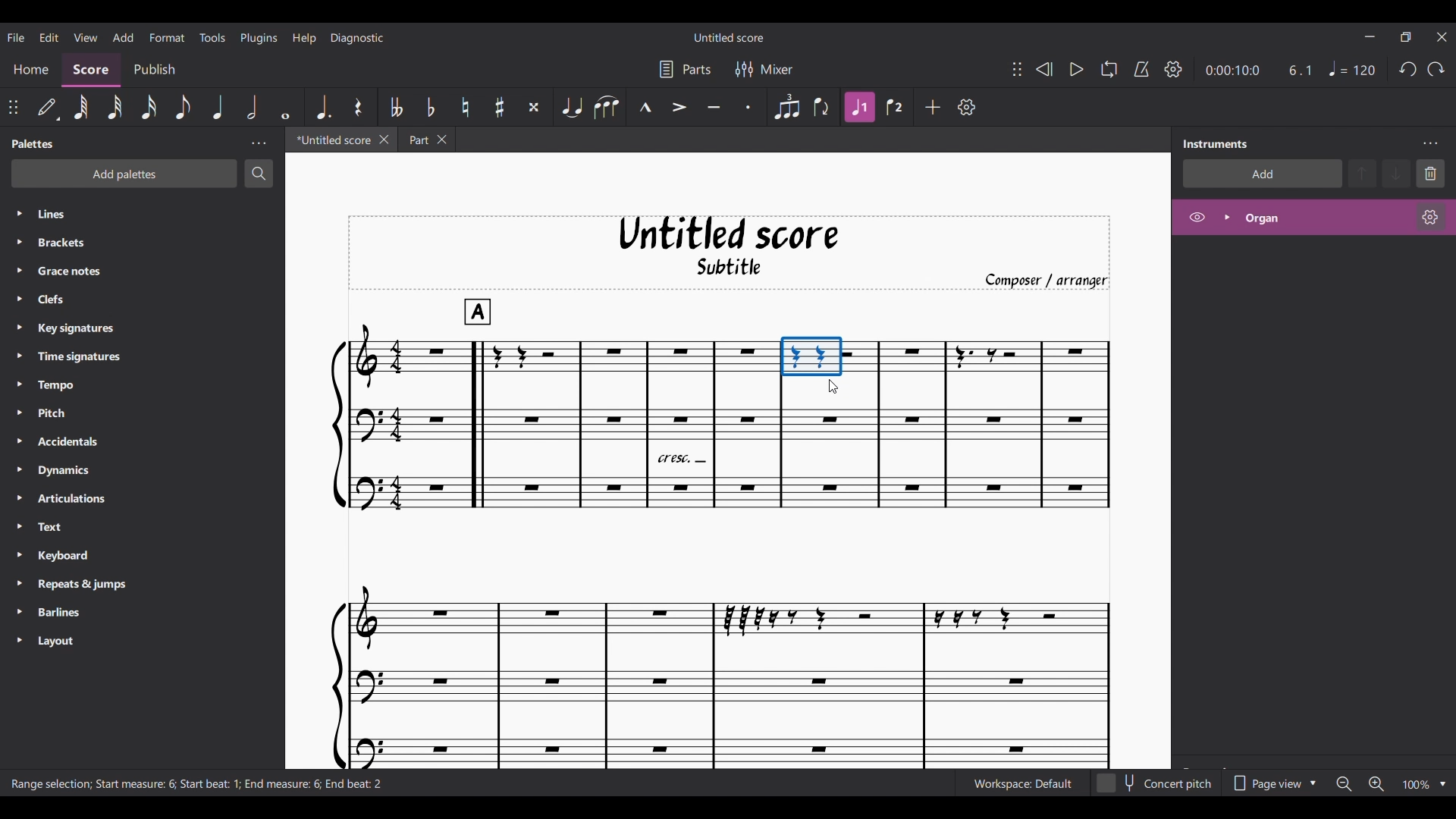 The height and width of the screenshot is (819, 1456). What do you see at coordinates (158, 428) in the screenshot?
I see `List of palettes` at bounding box center [158, 428].